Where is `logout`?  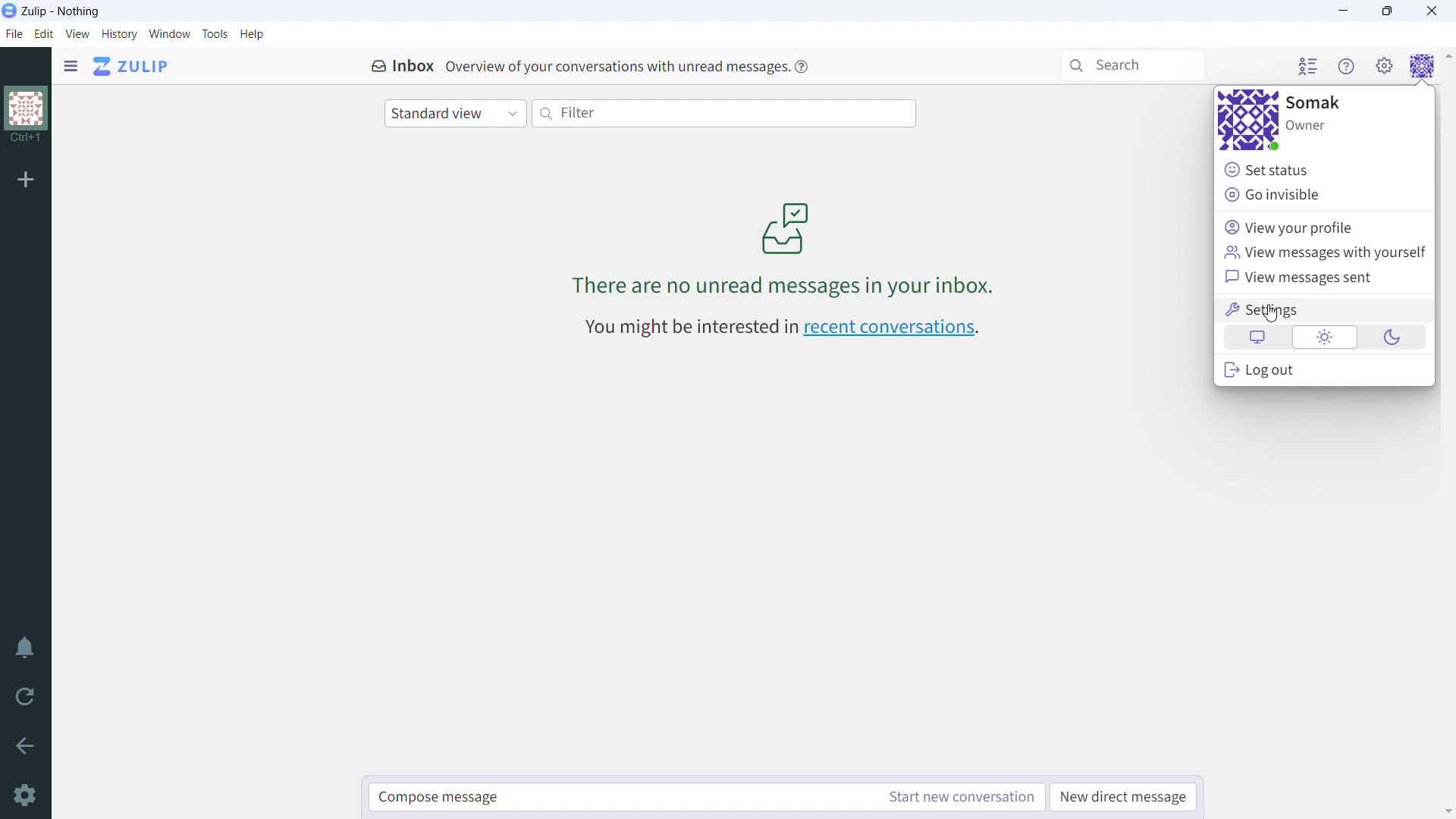 logout is located at coordinates (1324, 370).